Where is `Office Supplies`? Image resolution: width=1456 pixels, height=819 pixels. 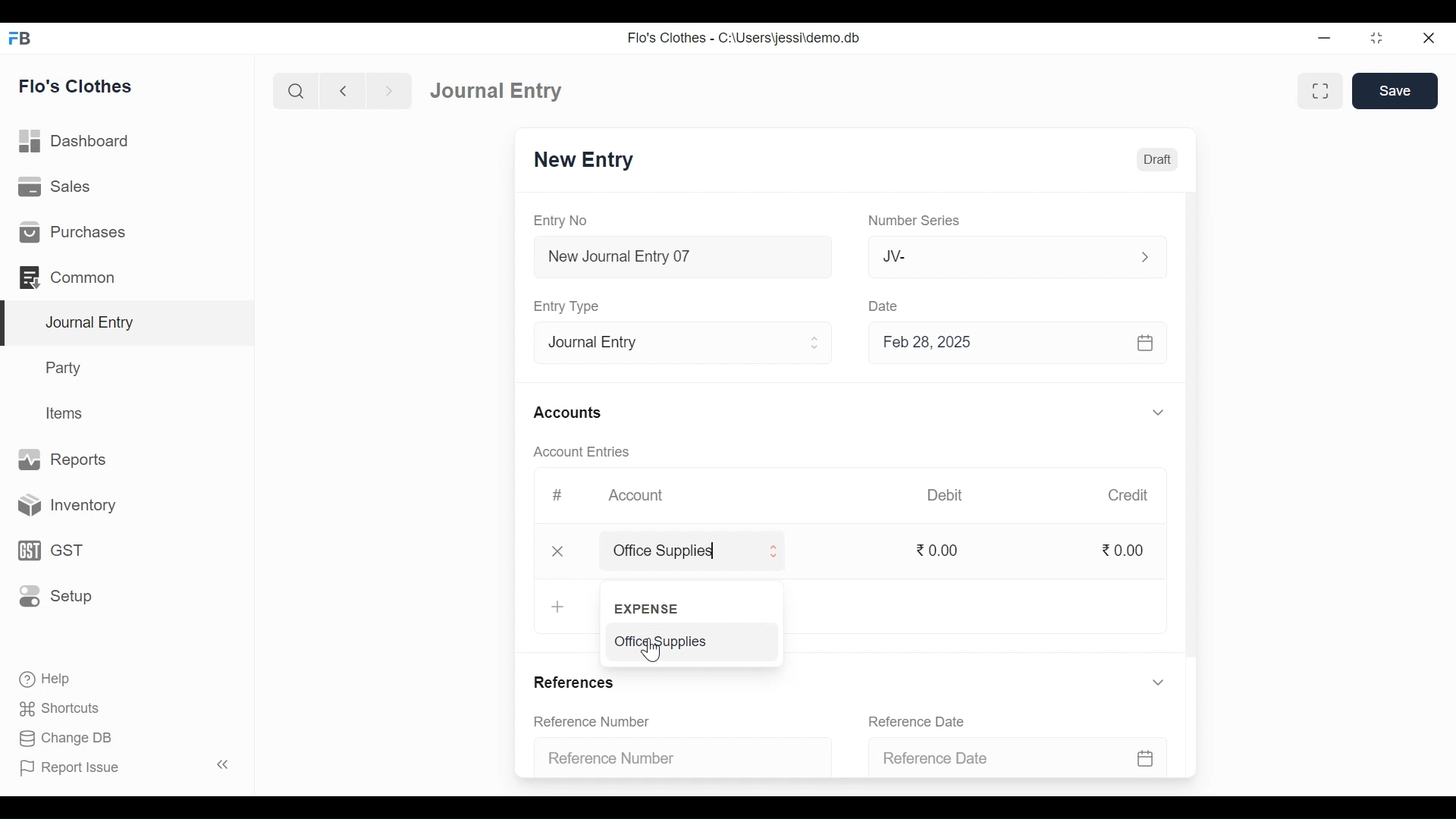
Office Supplies is located at coordinates (673, 553).